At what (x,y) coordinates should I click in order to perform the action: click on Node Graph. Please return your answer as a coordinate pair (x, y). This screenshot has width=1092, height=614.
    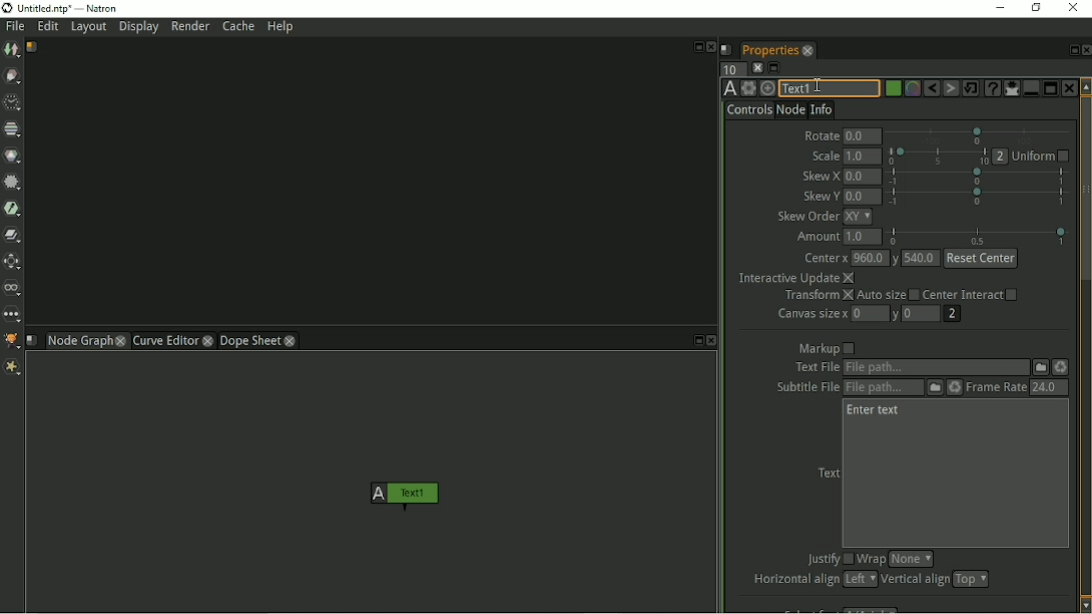
    Looking at the image, I should click on (78, 342).